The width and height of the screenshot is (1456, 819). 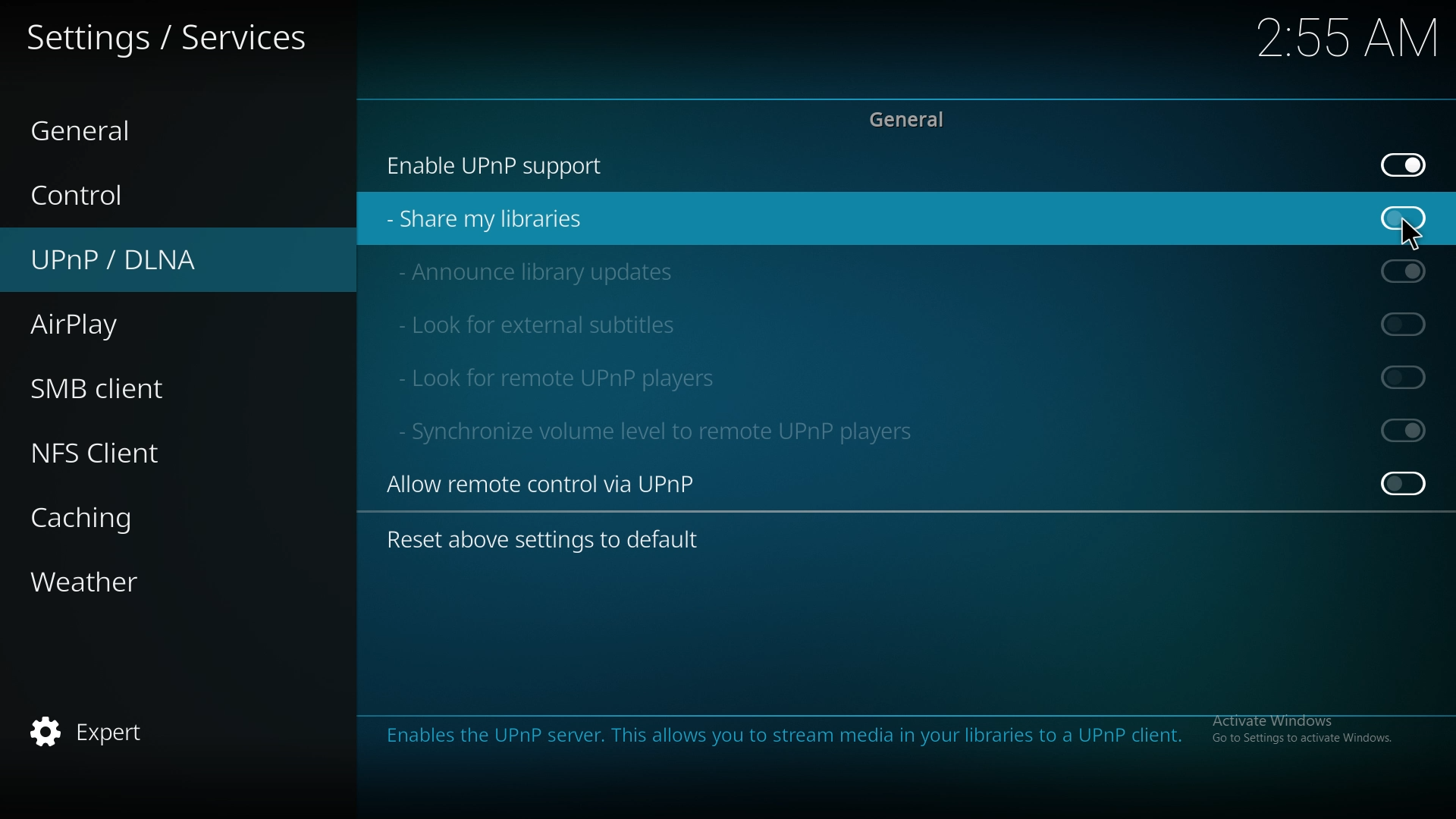 What do you see at coordinates (101, 516) in the screenshot?
I see `caching` at bounding box center [101, 516].